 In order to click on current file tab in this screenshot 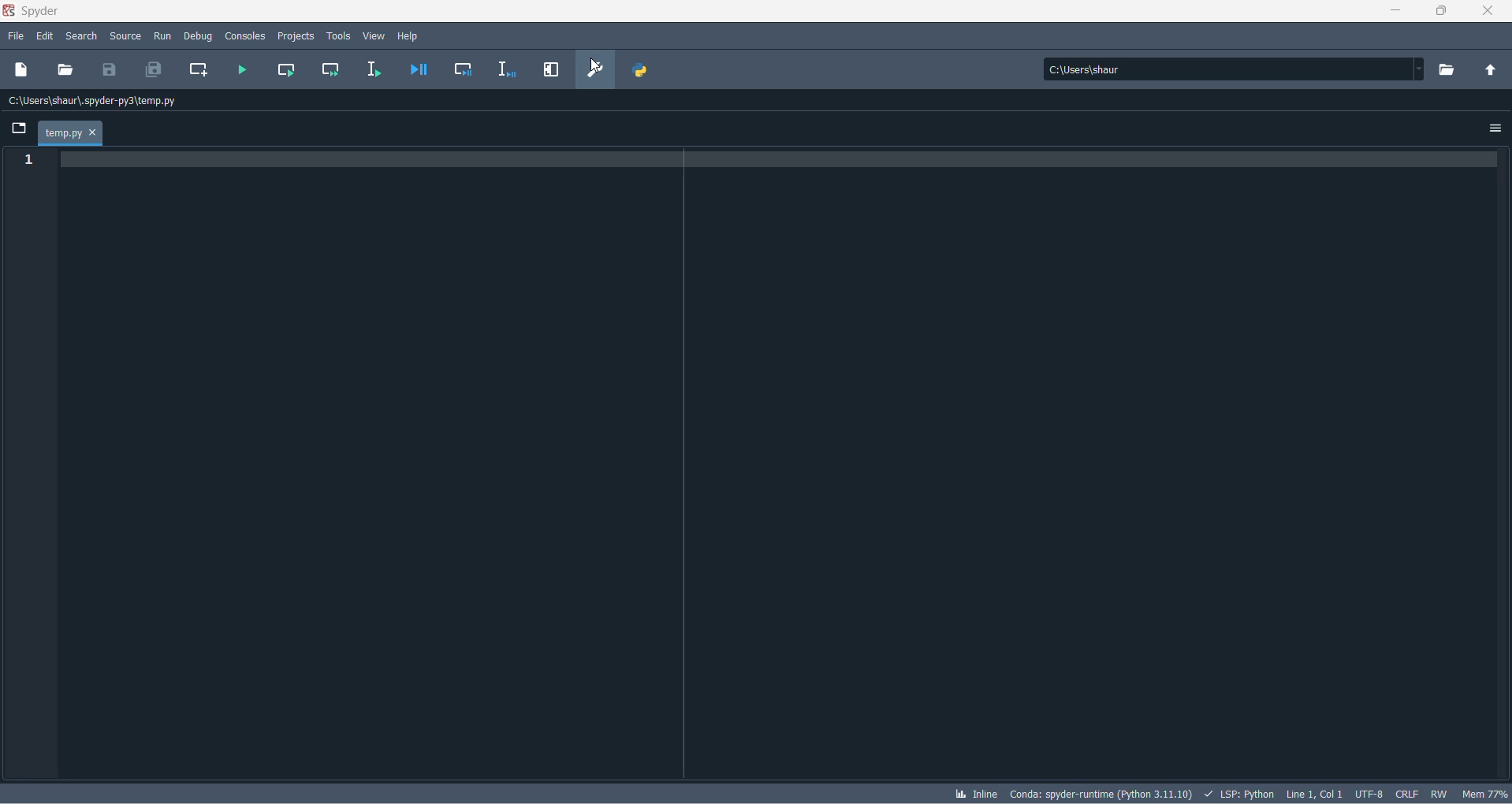, I will do `click(70, 134)`.